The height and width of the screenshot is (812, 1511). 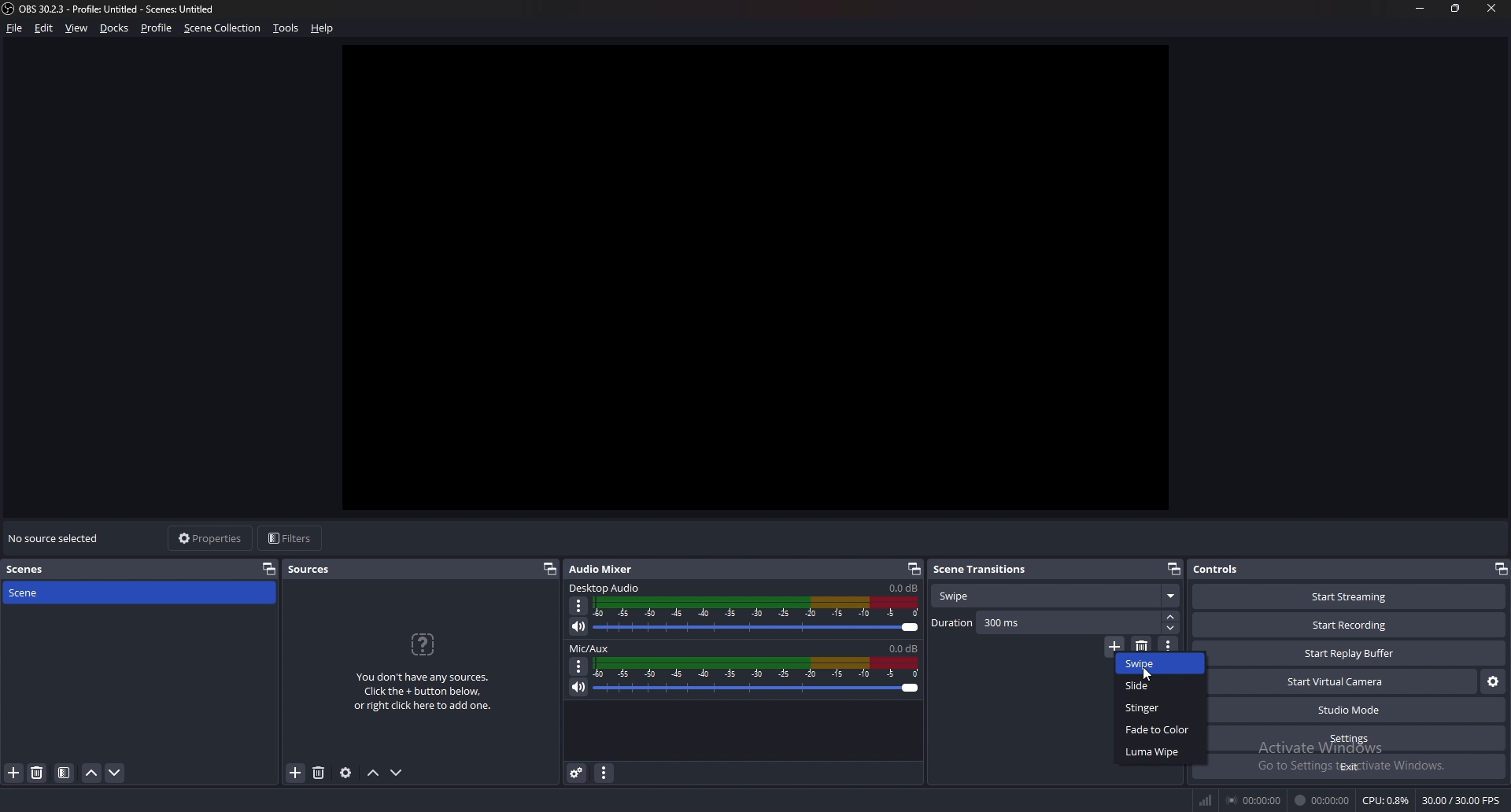 What do you see at coordinates (1163, 729) in the screenshot?
I see `fade to color` at bounding box center [1163, 729].